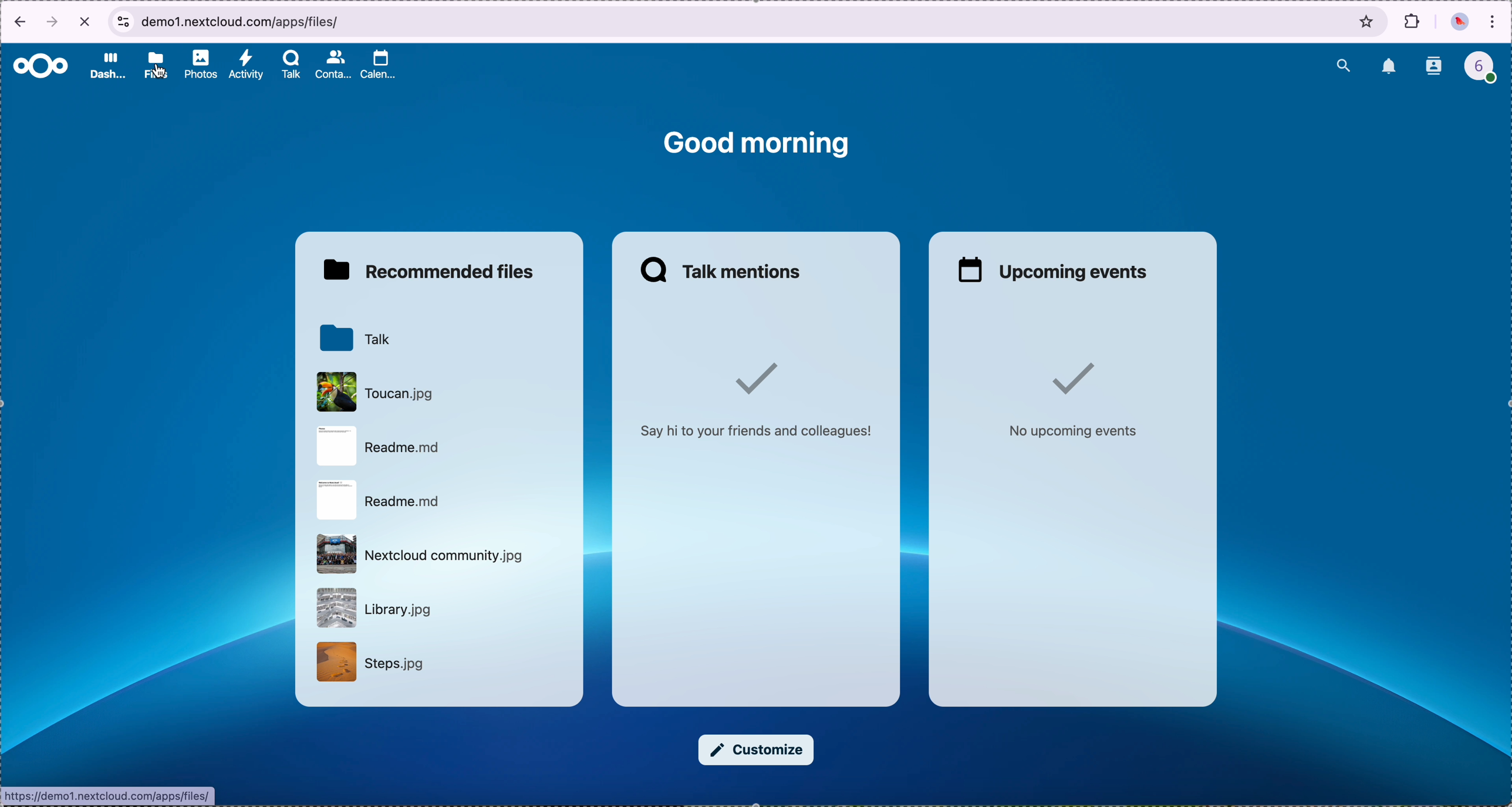 This screenshot has height=807, width=1512. What do you see at coordinates (248, 21) in the screenshot?
I see `URL` at bounding box center [248, 21].